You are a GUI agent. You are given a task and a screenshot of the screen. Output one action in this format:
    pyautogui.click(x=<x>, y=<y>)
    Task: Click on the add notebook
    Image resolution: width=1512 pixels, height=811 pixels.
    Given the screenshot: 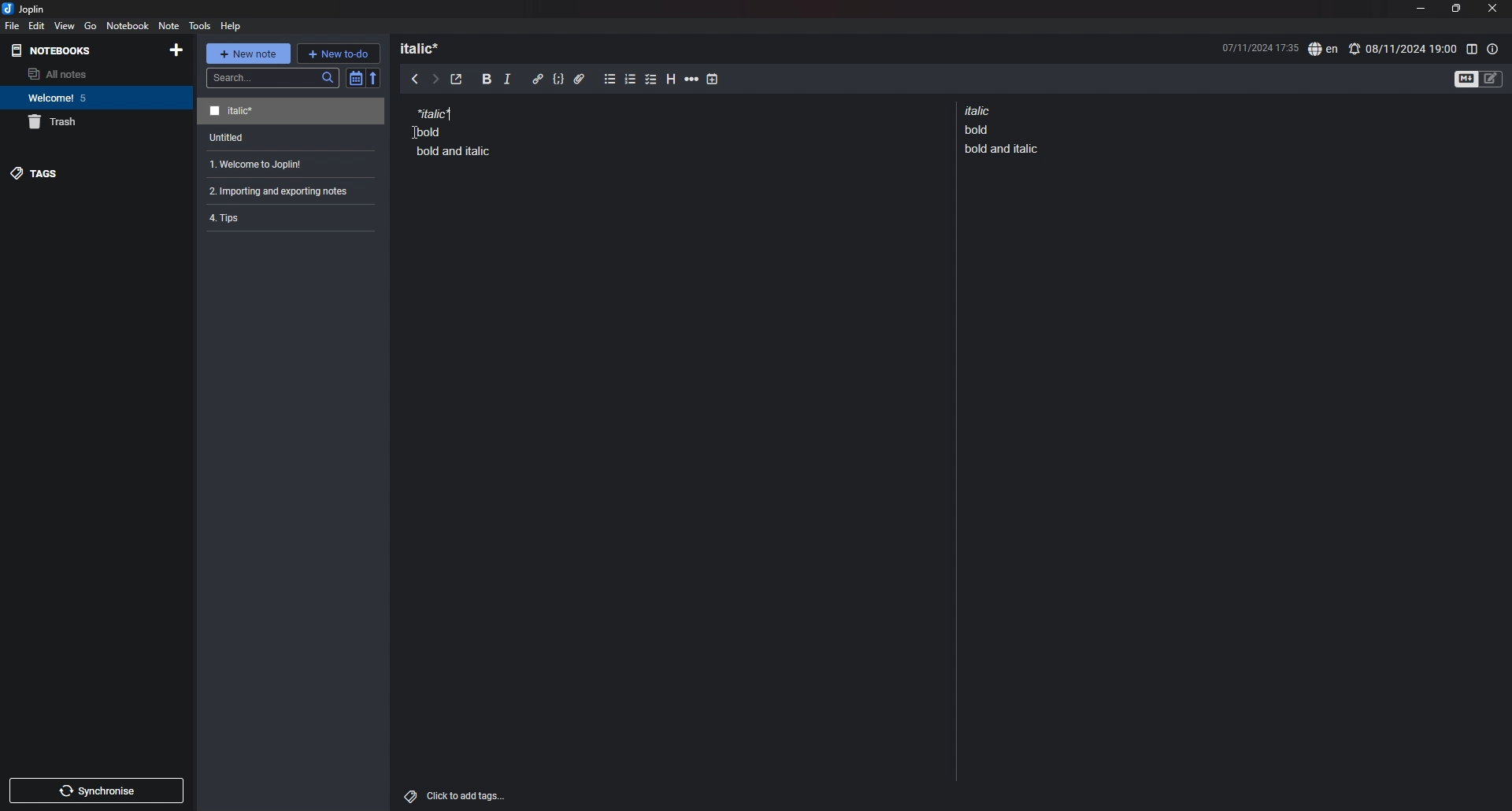 What is the action you would take?
    pyautogui.click(x=175, y=50)
    